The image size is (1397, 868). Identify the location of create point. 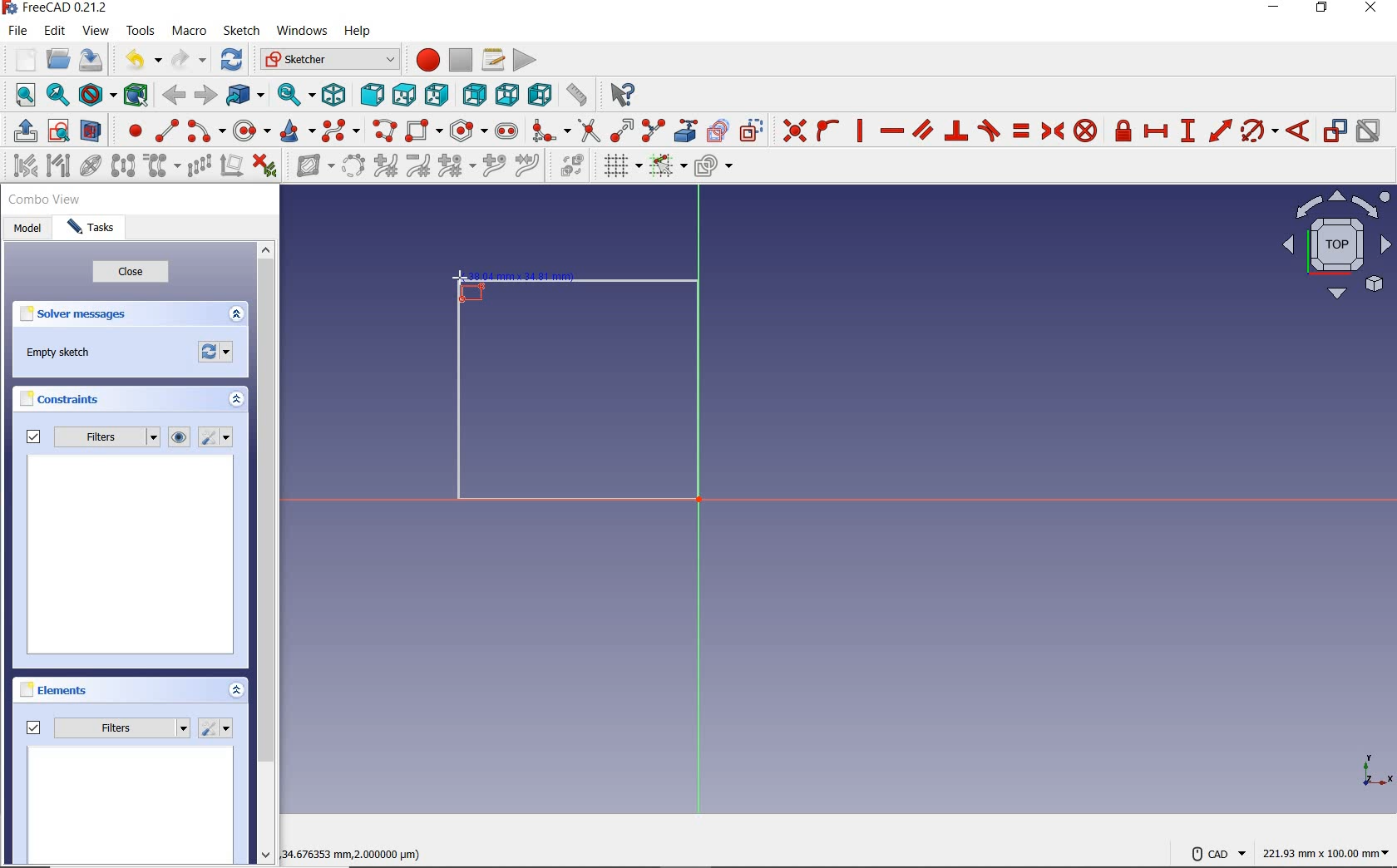
(132, 131).